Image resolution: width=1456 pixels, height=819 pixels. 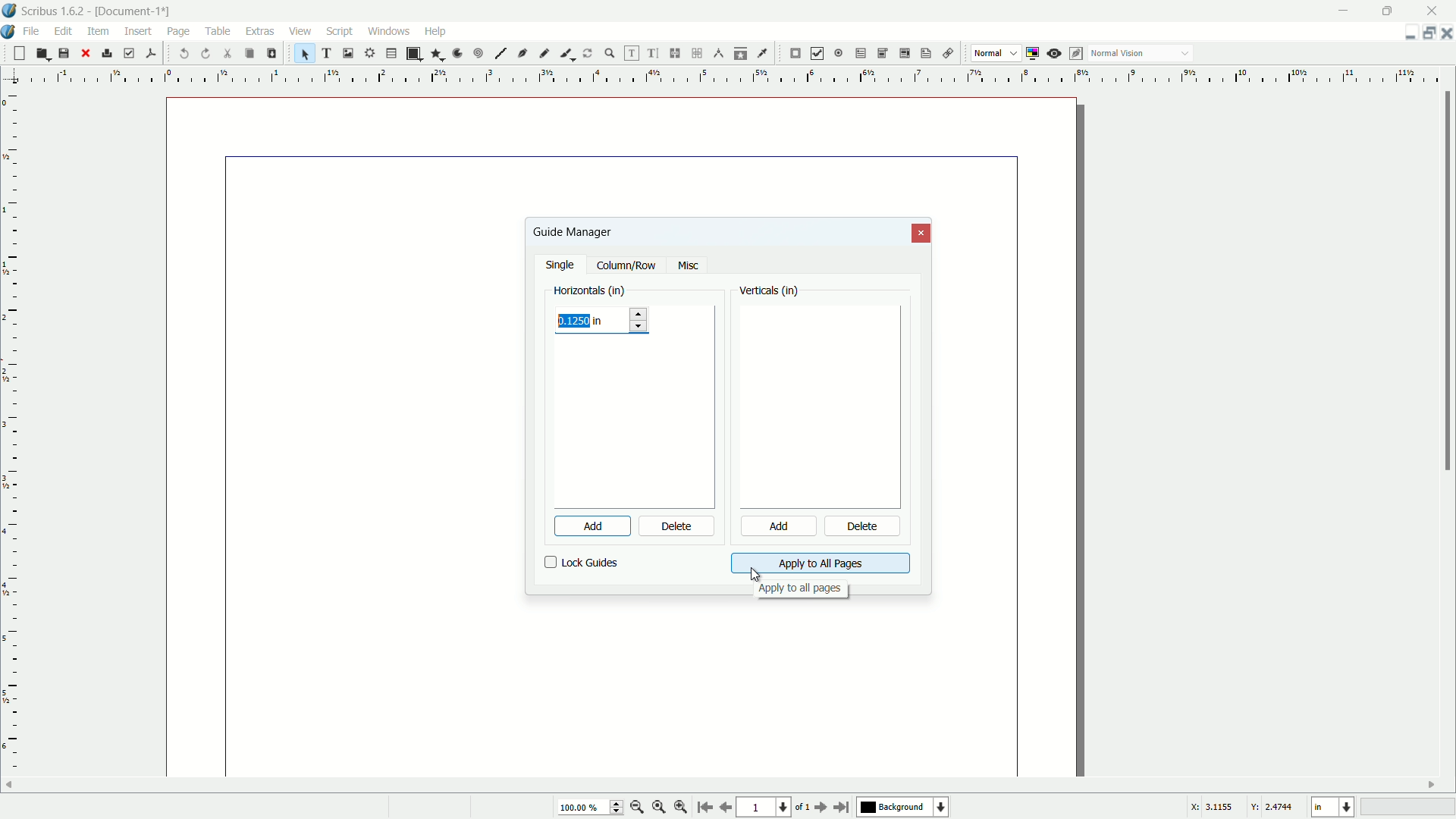 What do you see at coordinates (458, 53) in the screenshot?
I see `arc` at bounding box center [458, 53].